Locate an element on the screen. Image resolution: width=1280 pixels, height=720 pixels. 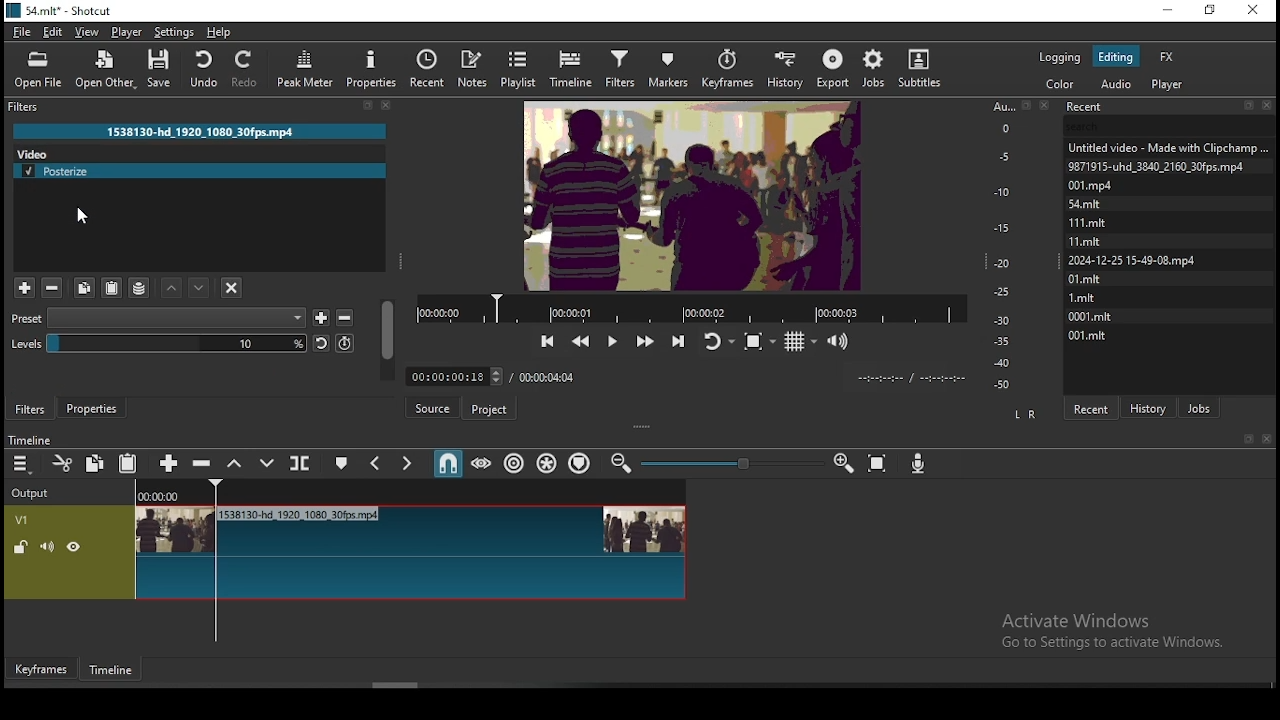
peak meter is located at coordinates (302, 66).